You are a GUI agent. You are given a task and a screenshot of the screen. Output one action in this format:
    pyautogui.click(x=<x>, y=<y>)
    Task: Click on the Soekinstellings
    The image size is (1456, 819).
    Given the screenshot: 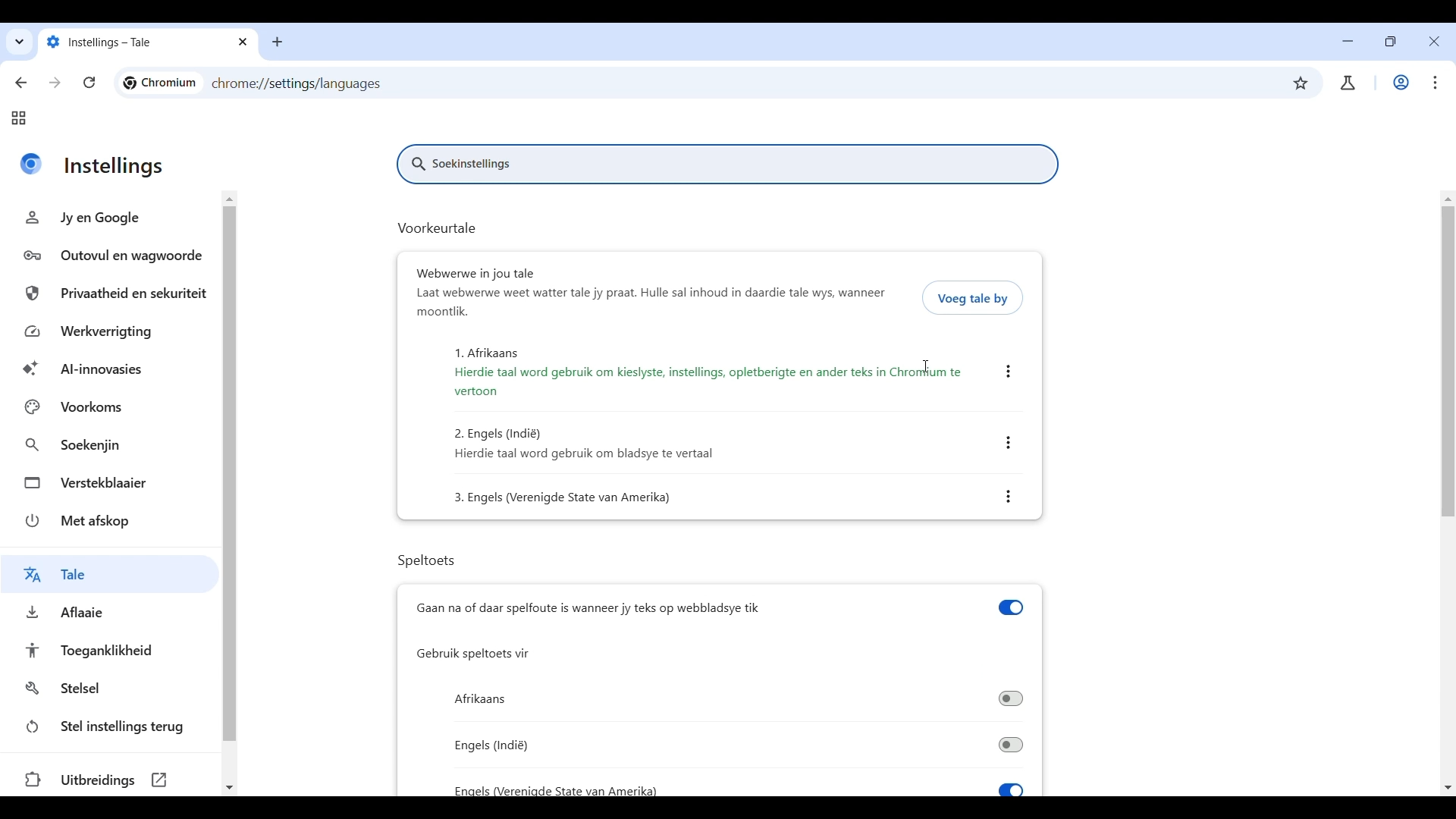 What is the action you would take?
    pyautogui.click(x=730, y=165)
    